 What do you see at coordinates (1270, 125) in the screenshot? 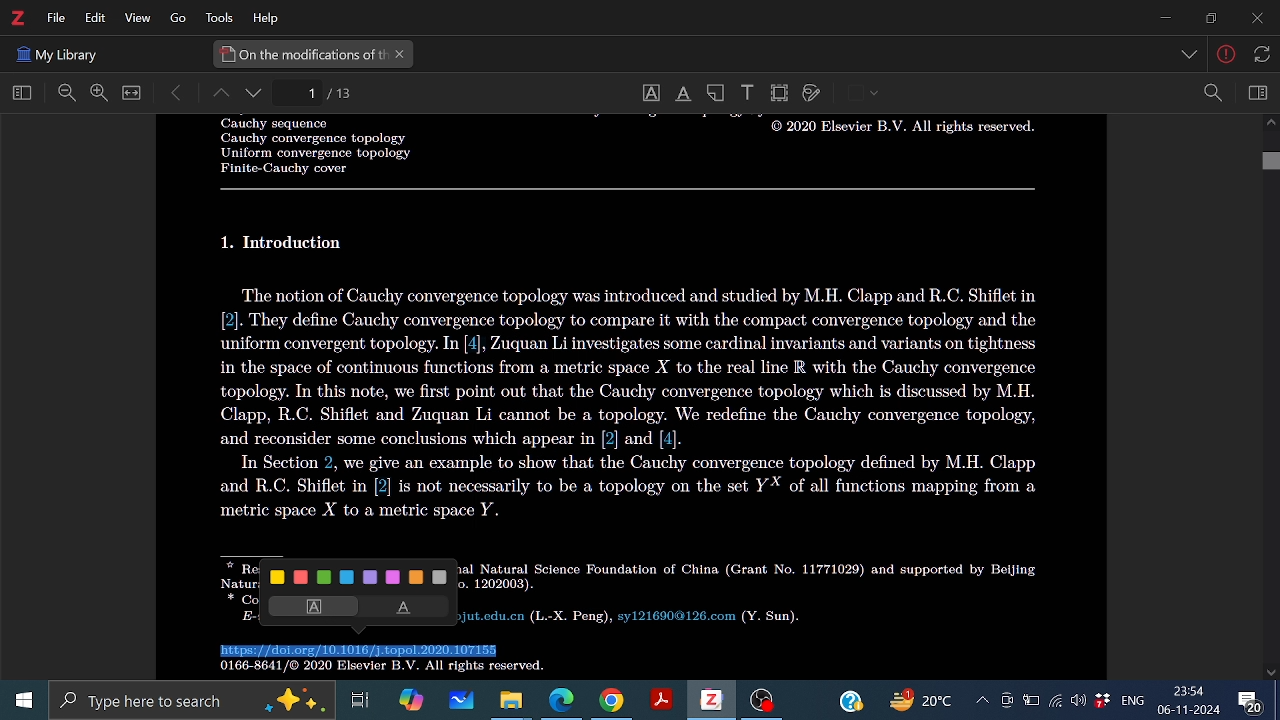
I see `Move up` at bounding box center [1270, 125].